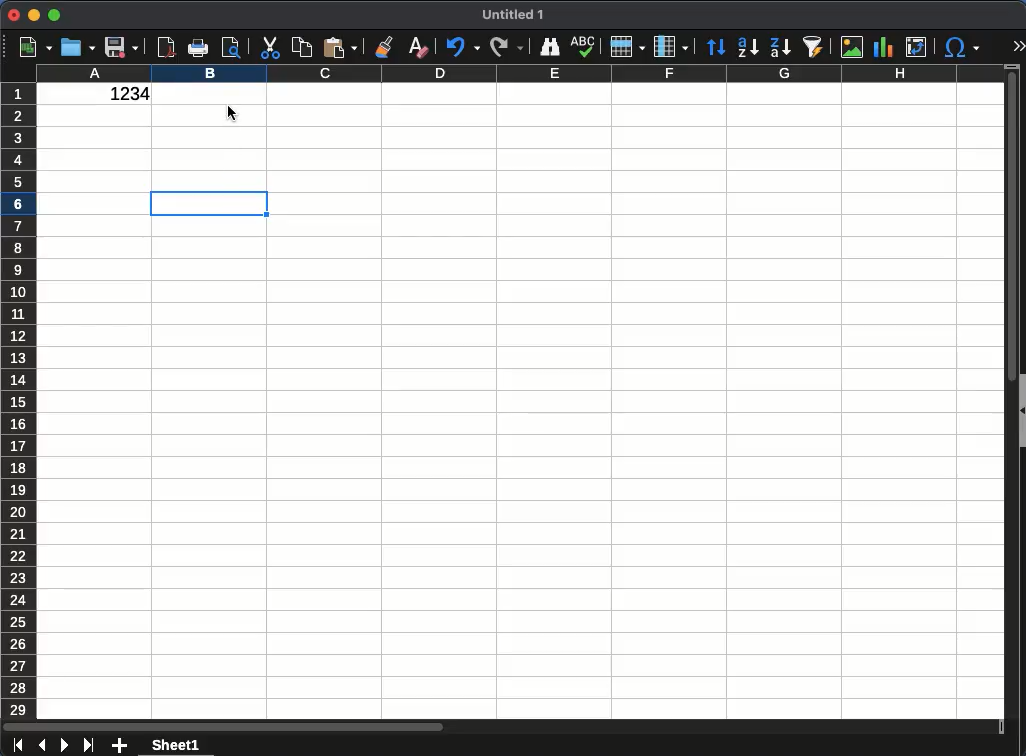 This screenshot has width=1026, height=756. I want to click on previous sheet, so click(44, 744).